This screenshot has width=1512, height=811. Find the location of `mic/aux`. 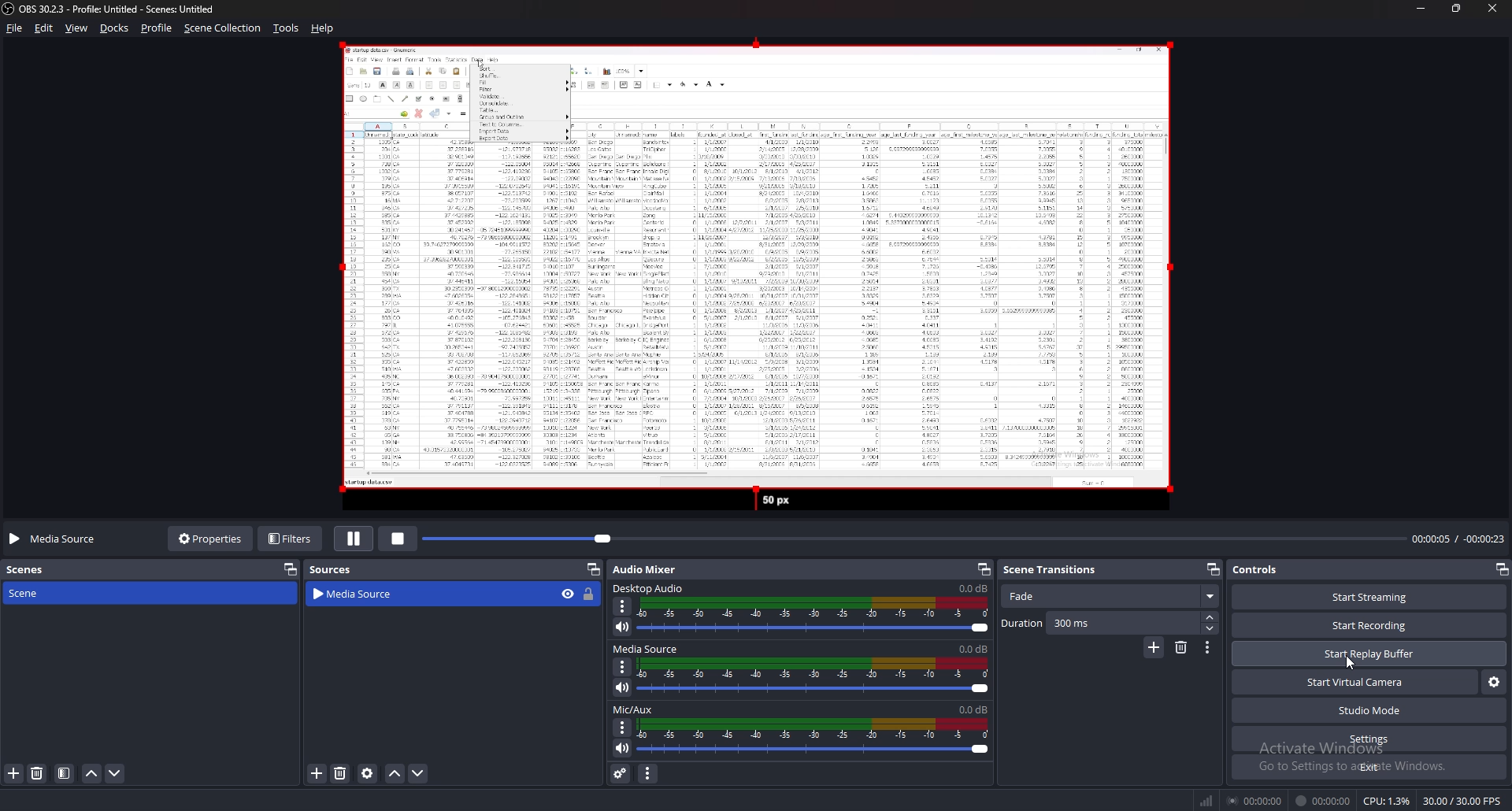

mic/aux is located at coordinates (633, 709).